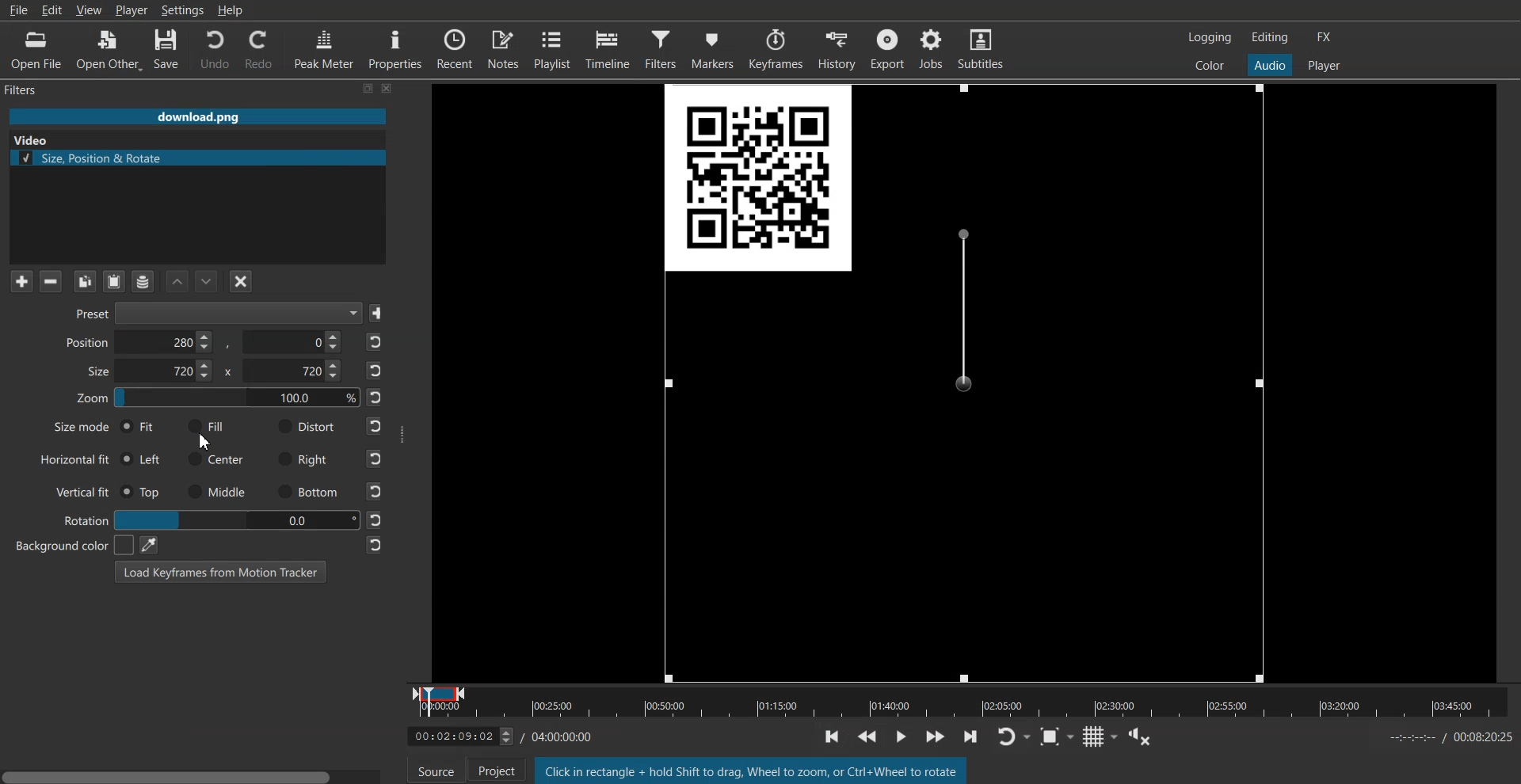  I want to click on Toggle Zoom, so click(864, 738).